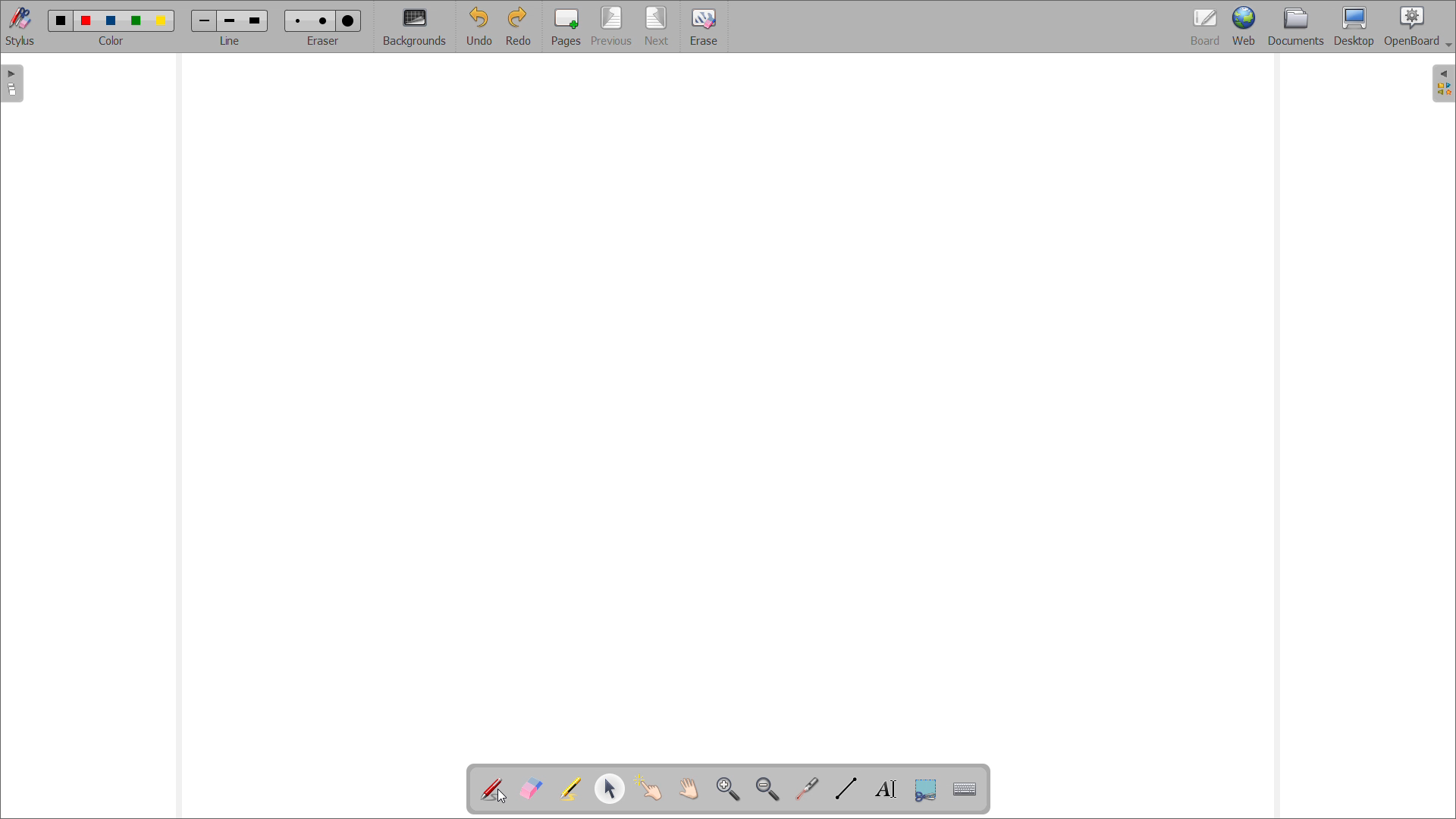 This screenshot has height=819, width=1456. What do you see at coordinates (566, 27) in the screenshot?
I see `add pages` at bounding box center [566, 27].